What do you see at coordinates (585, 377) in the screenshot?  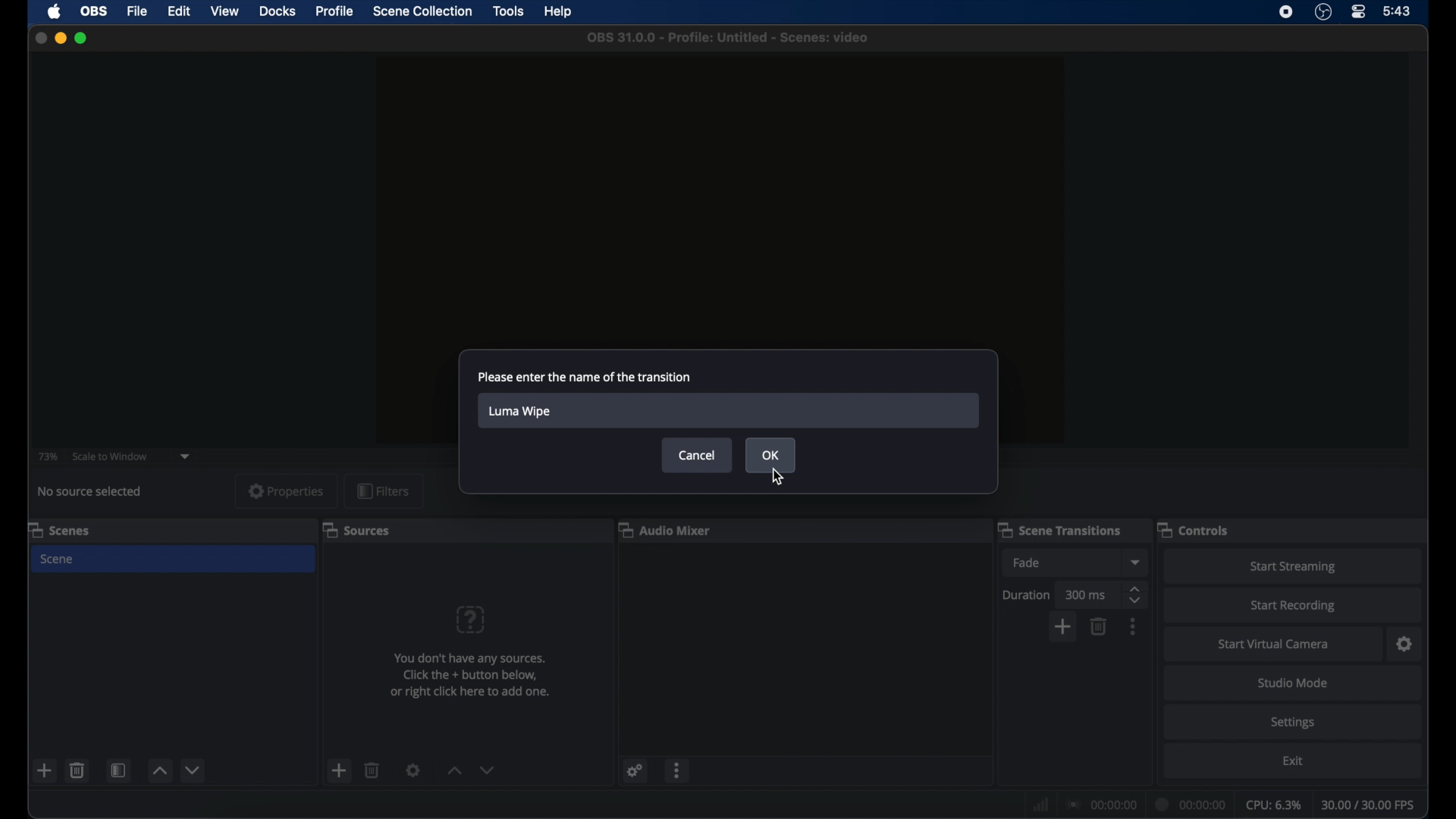 I see `please enter the name of the transition` at bounding box center [585, 377].